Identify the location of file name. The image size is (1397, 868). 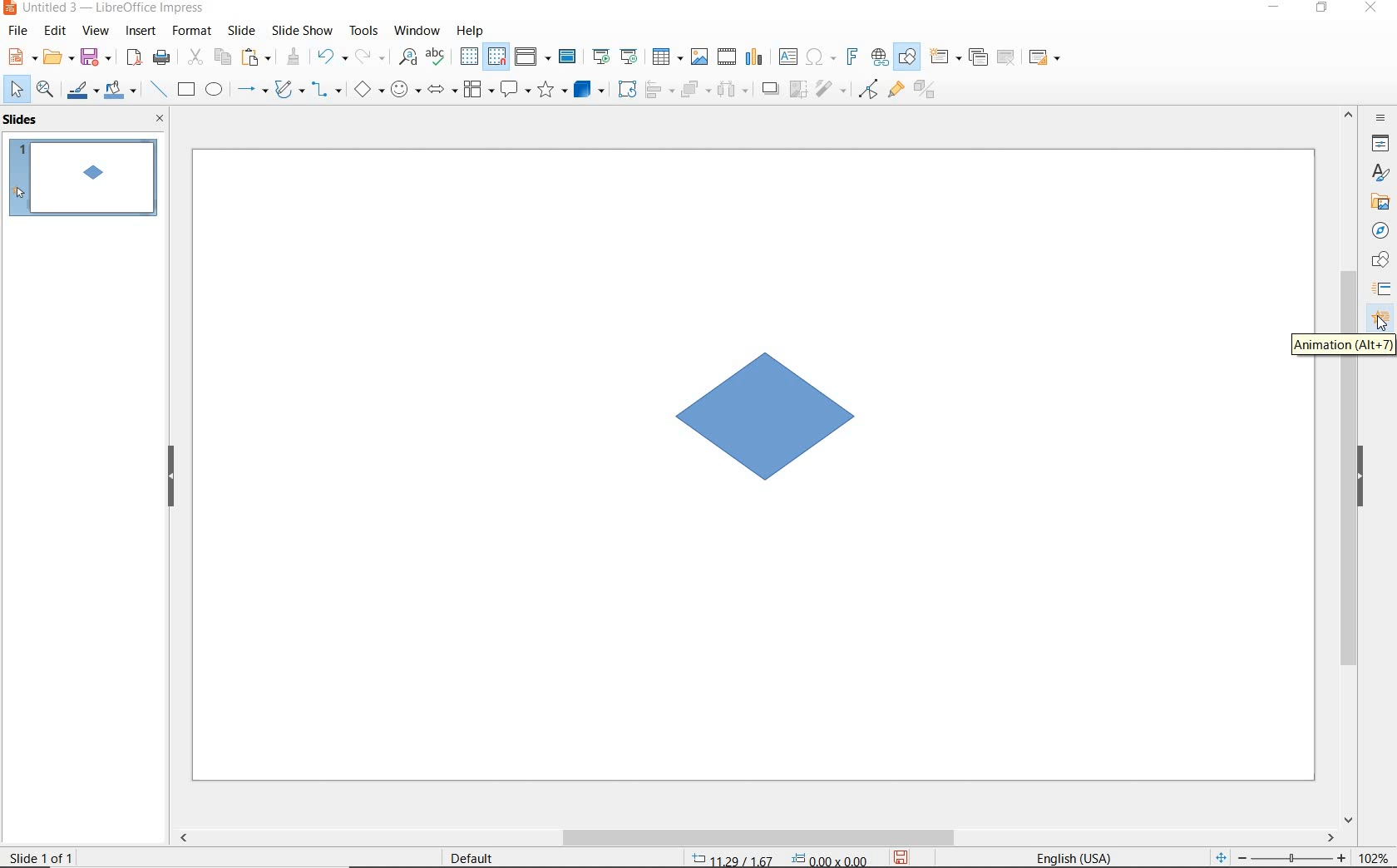
(106, 8).